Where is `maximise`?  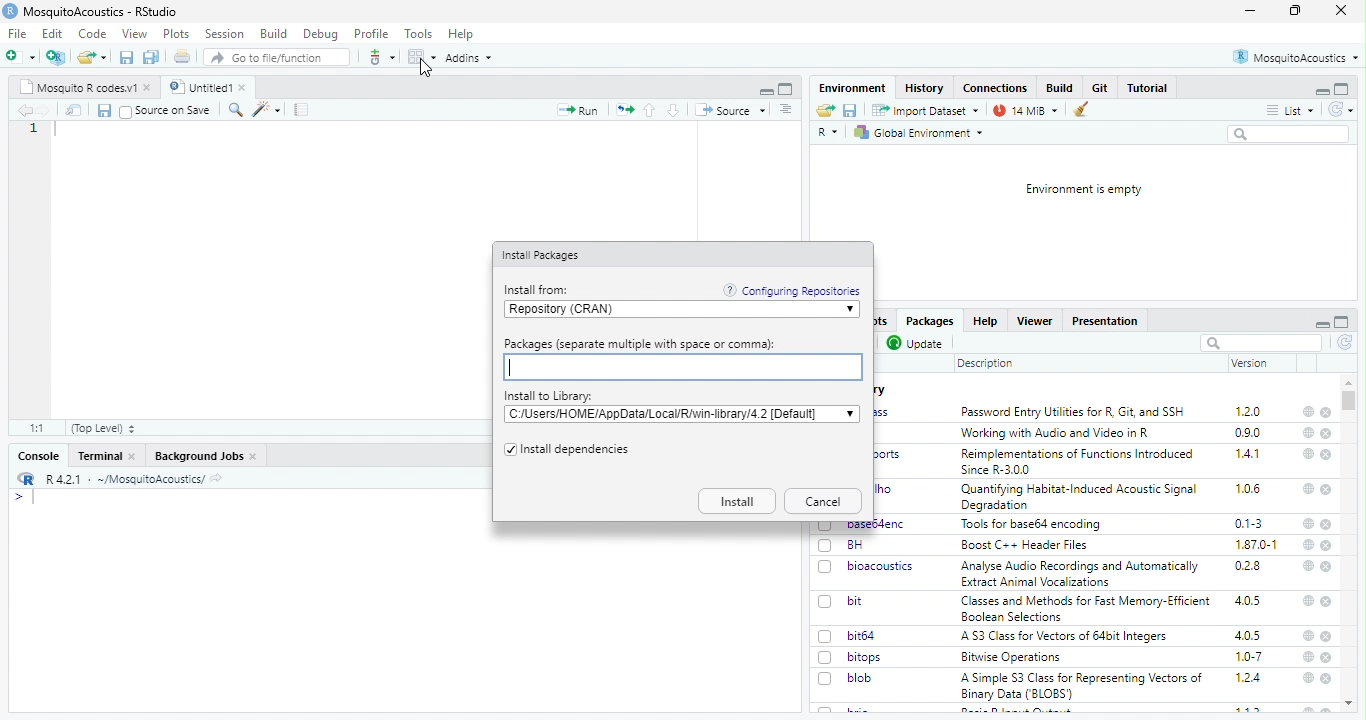
maximise is located at coordinates (1342, 89).